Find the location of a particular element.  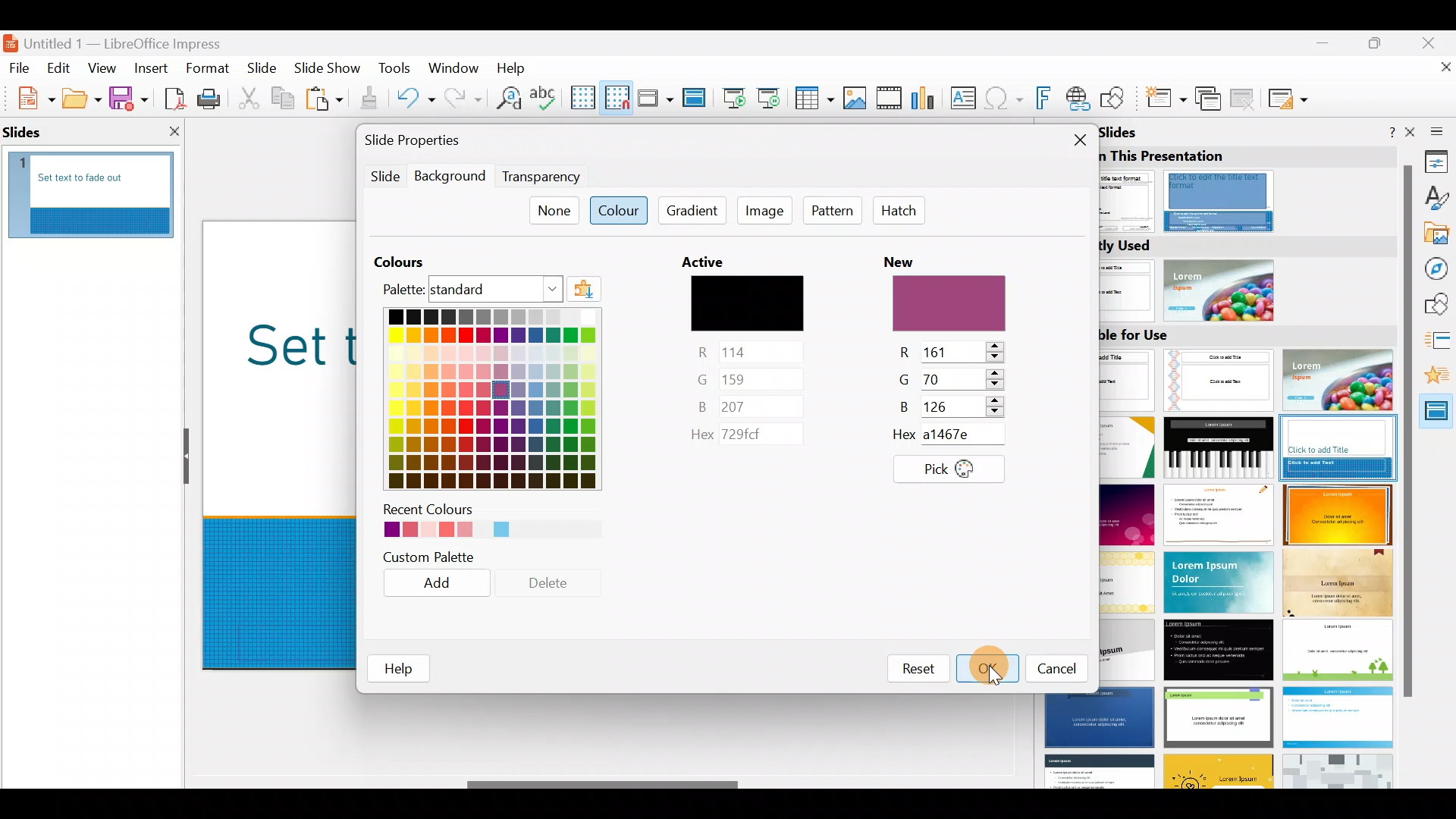

View is located at coordinates (103, 67).